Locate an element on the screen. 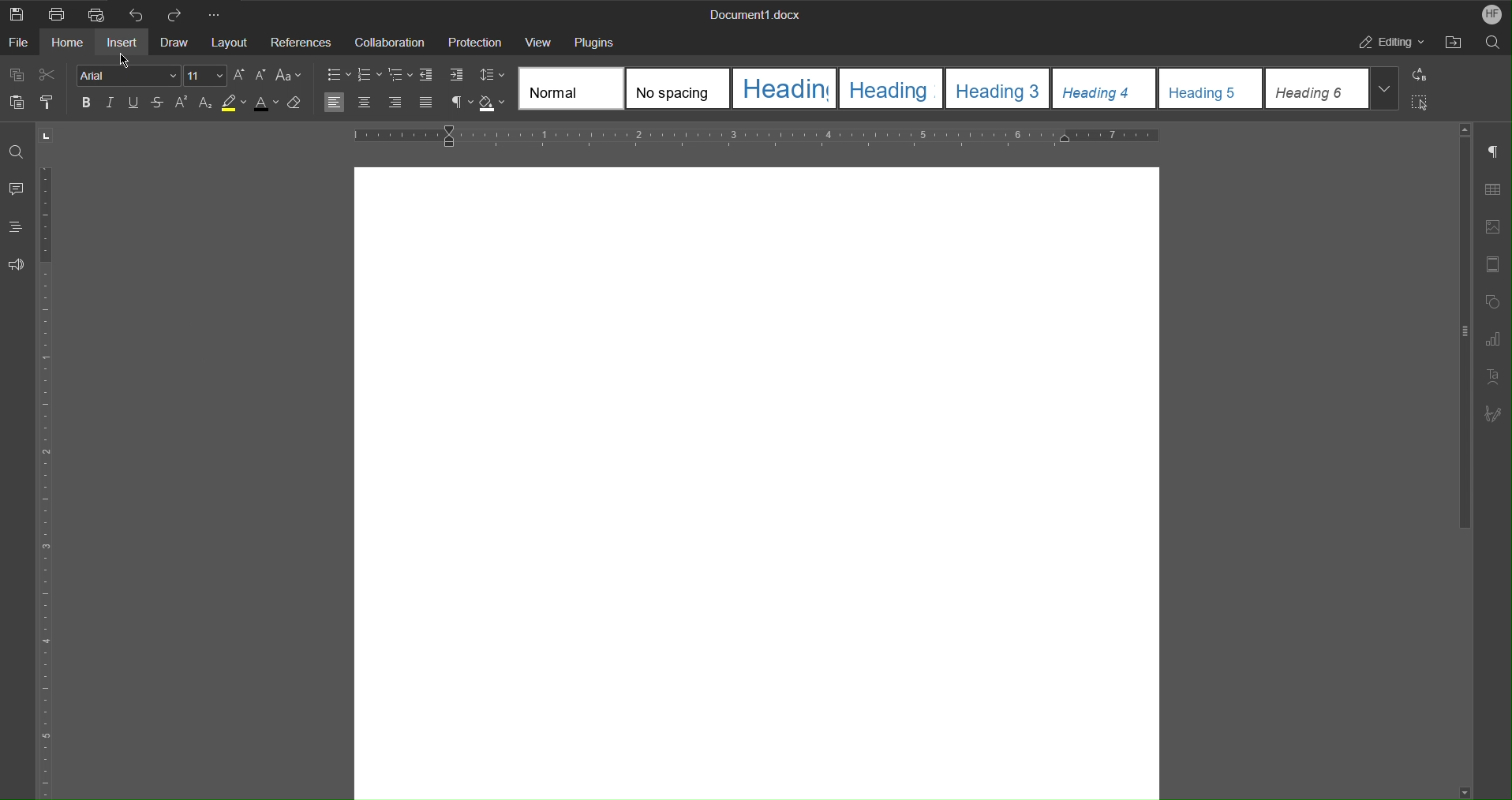 Image resolution: width=1512 pixels, height=800 pixels. Highlight is located at coordinates (235, 103).